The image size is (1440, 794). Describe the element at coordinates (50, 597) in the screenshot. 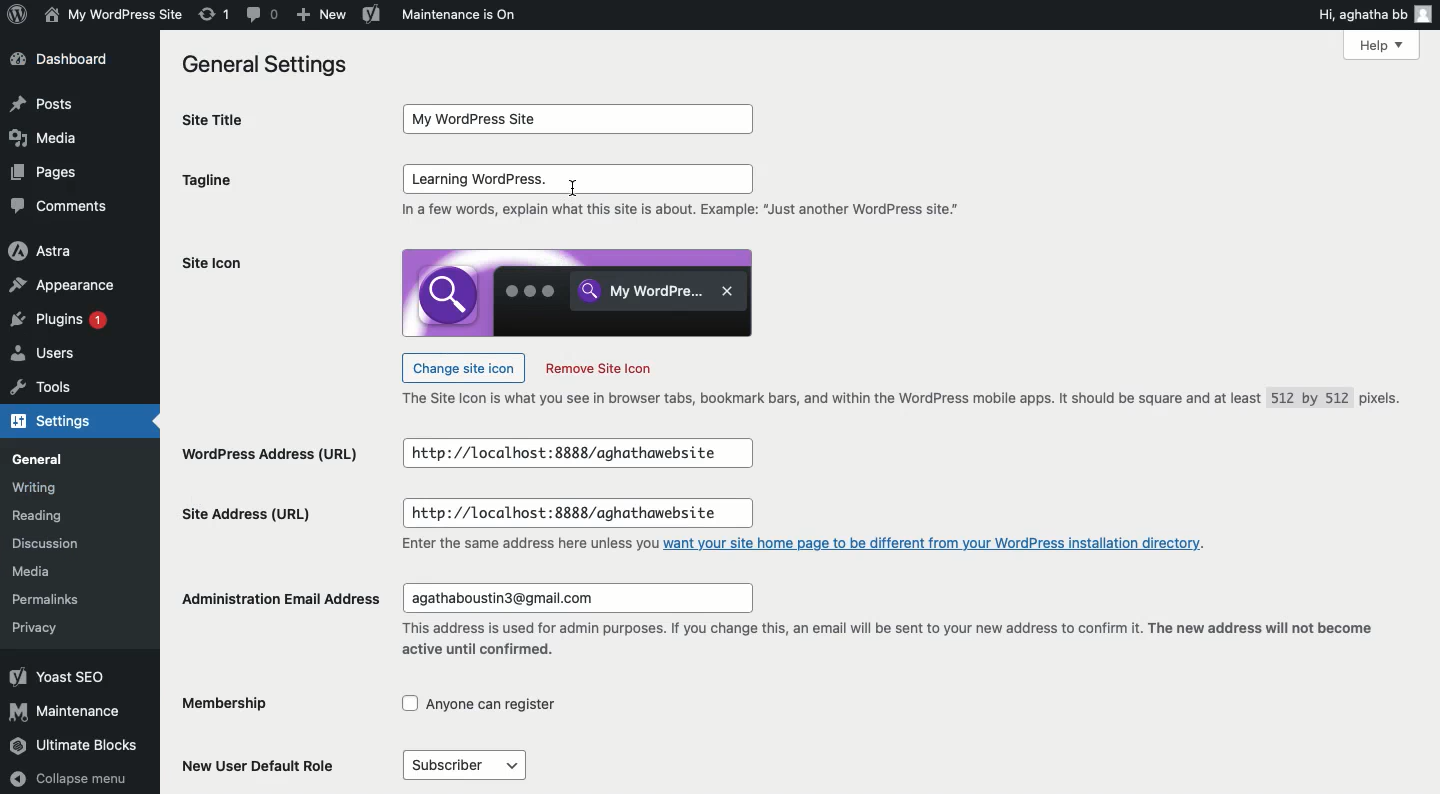

I see `Permalinks` at that location.